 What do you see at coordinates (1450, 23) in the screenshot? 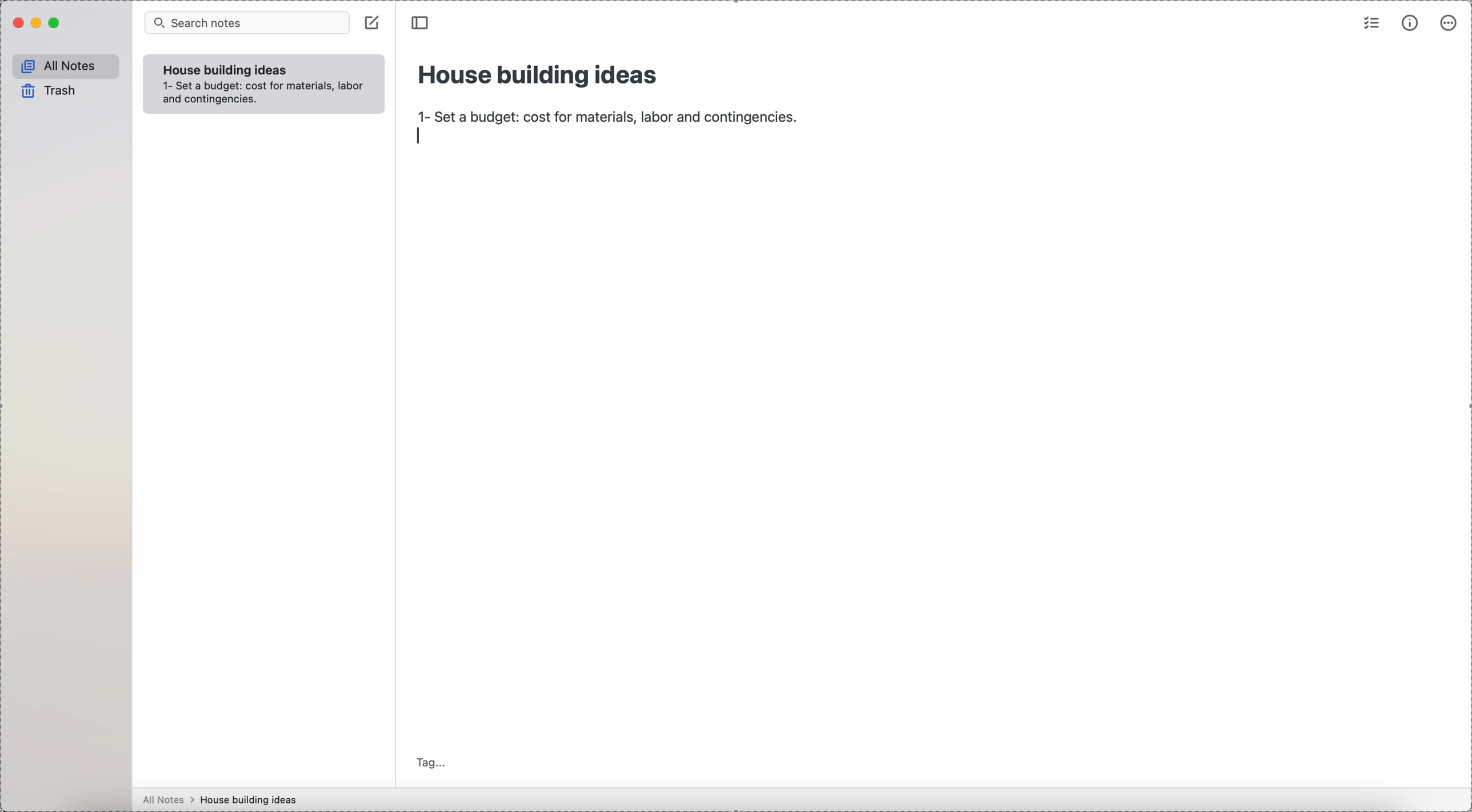
I see `more options` at bounding box center [1450, 23].